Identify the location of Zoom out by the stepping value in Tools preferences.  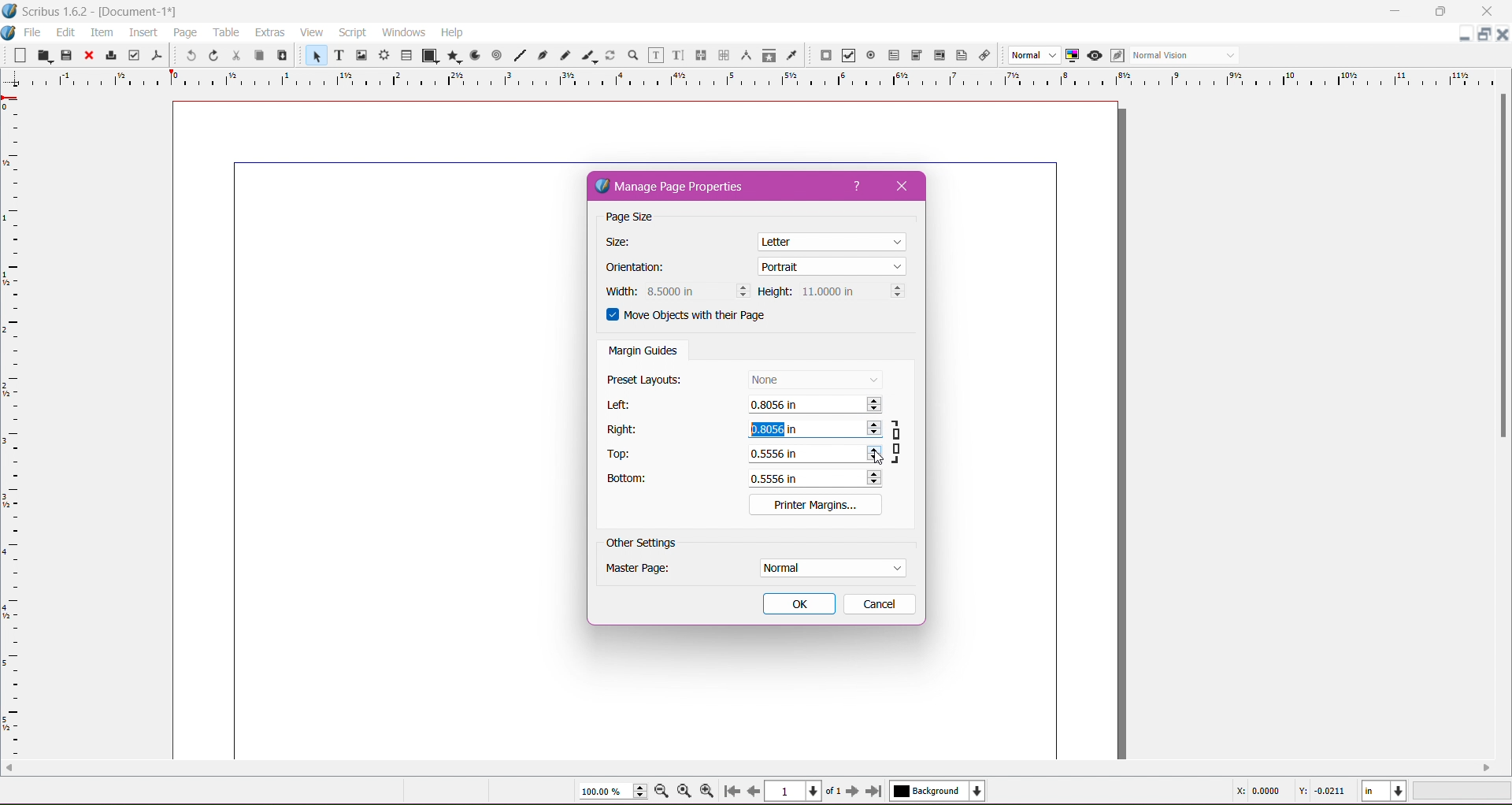
(662, 792).